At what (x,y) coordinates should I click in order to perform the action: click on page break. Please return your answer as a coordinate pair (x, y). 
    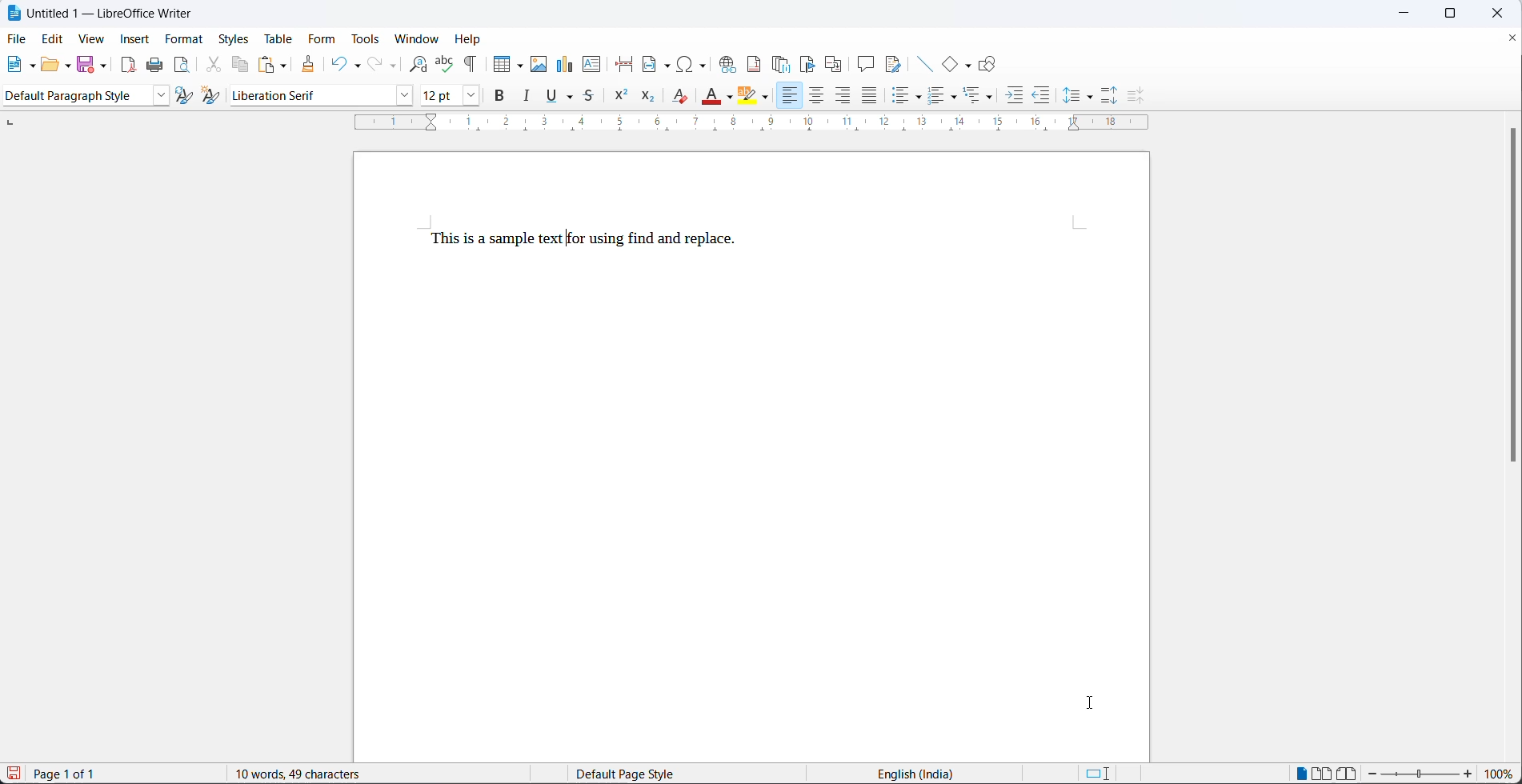
    Looking at the image, I should click on (626, 64).